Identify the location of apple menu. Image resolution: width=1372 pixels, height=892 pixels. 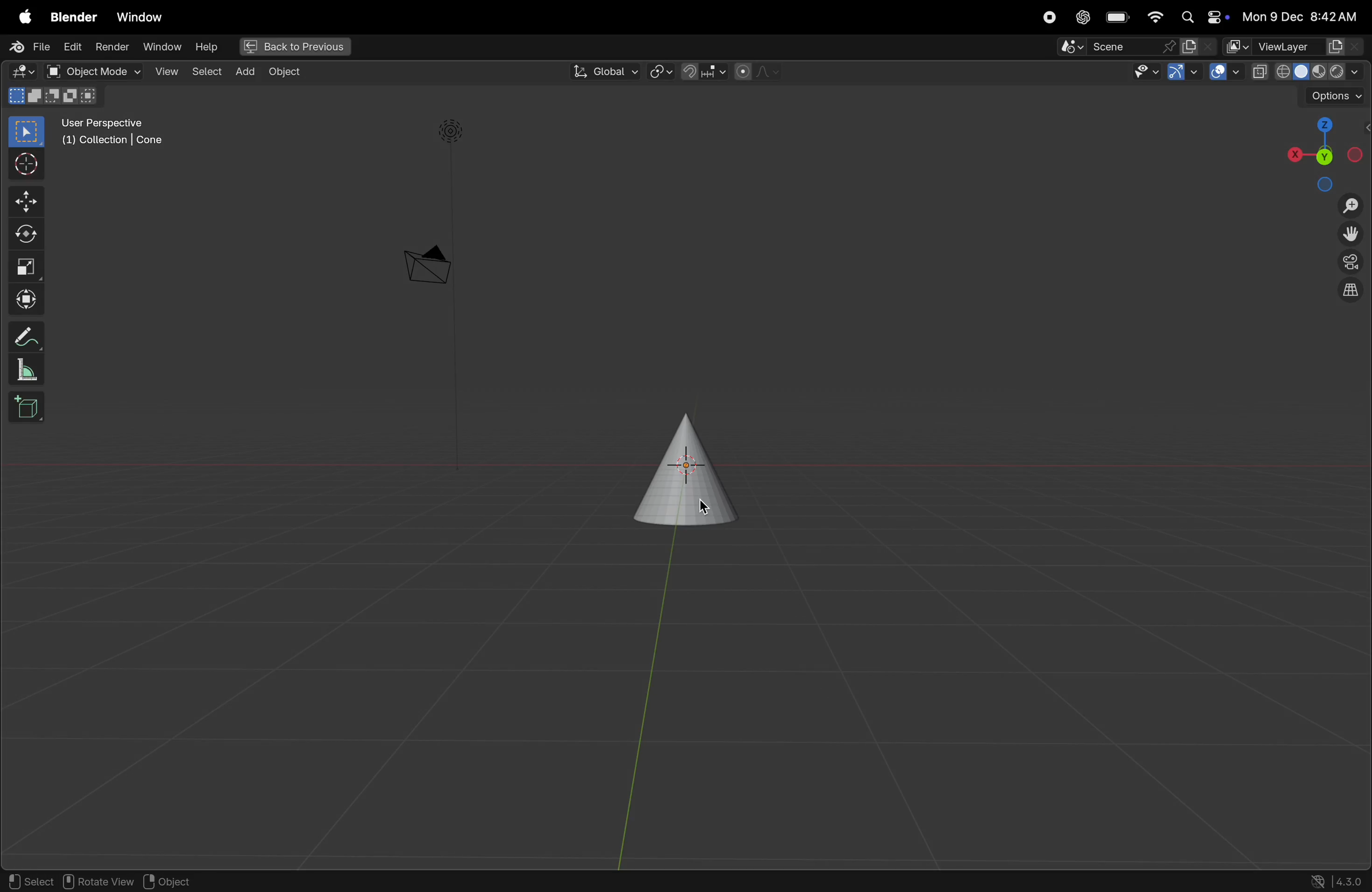
(22, 14).